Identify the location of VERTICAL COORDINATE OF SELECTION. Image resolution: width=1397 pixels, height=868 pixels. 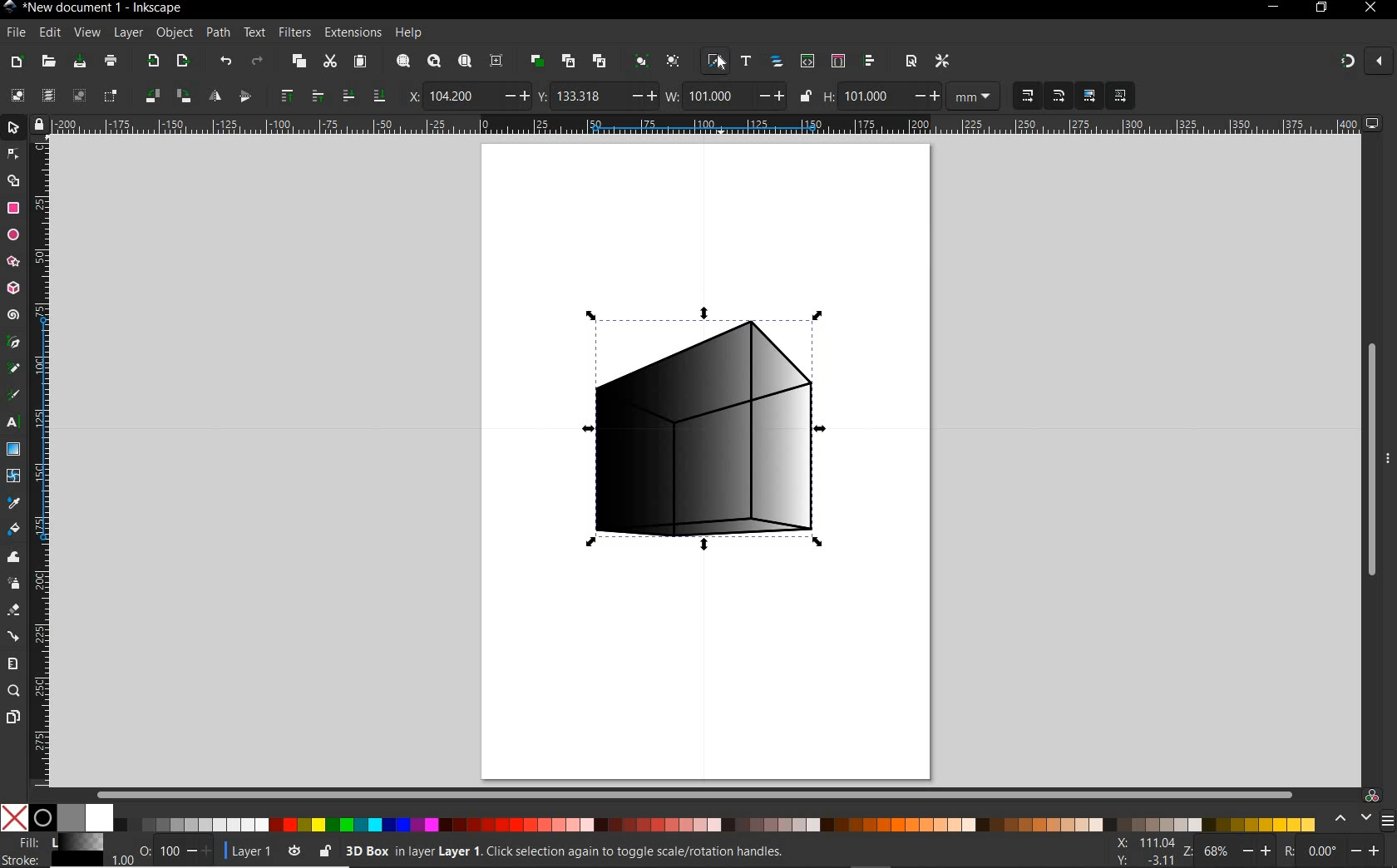
(543, 95).